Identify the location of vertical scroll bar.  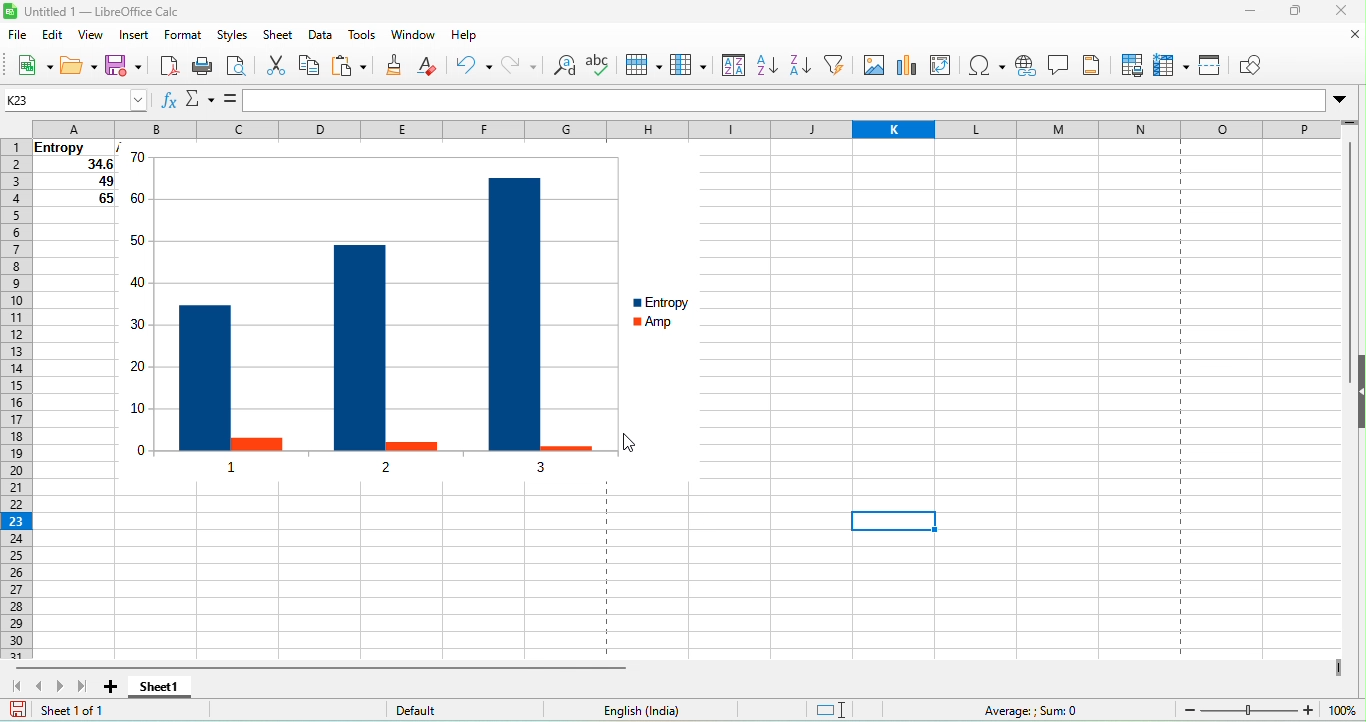
(1349, 266).